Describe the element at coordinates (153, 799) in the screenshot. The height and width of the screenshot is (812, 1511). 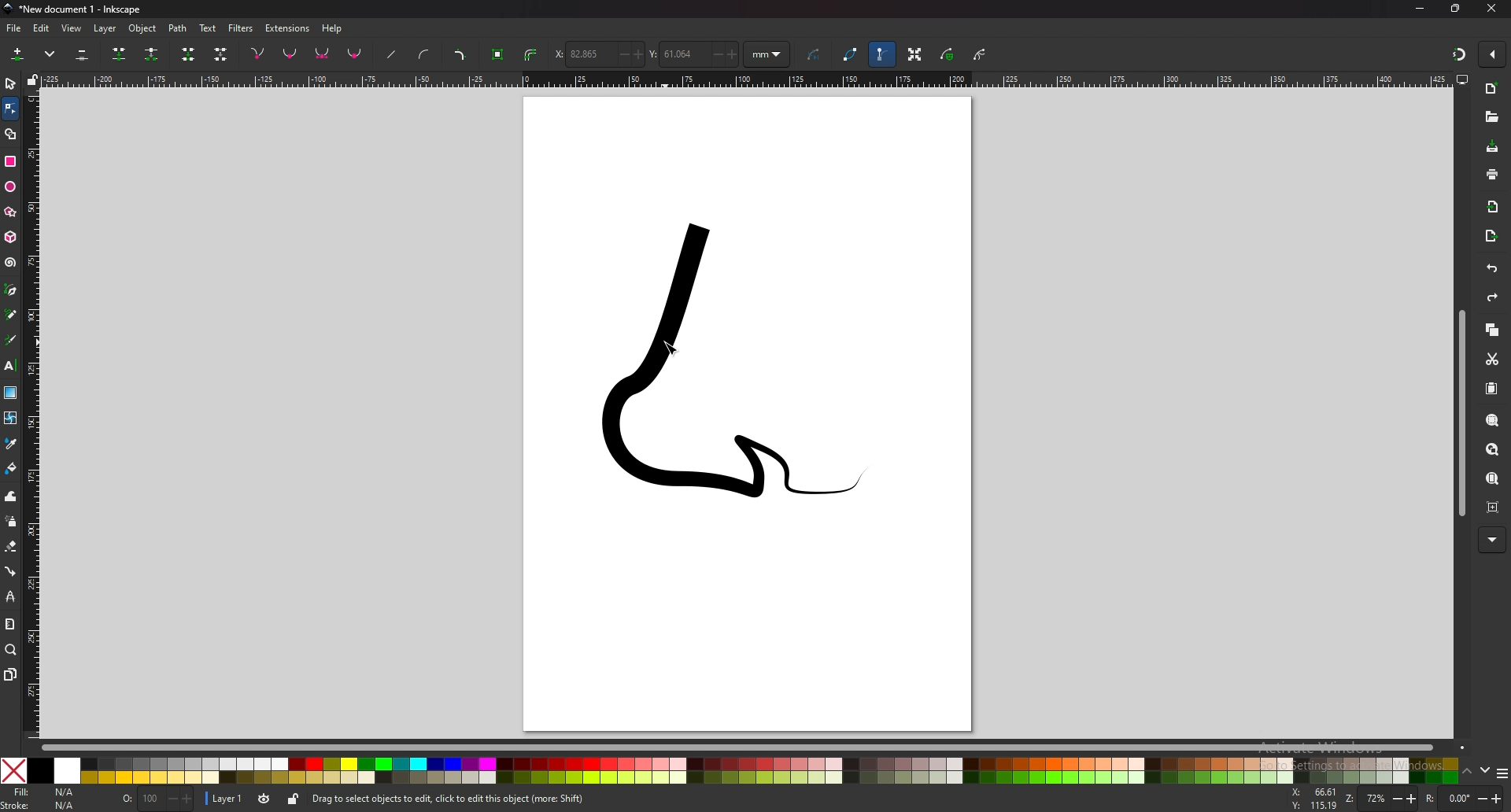
I see `opacity` at that location.